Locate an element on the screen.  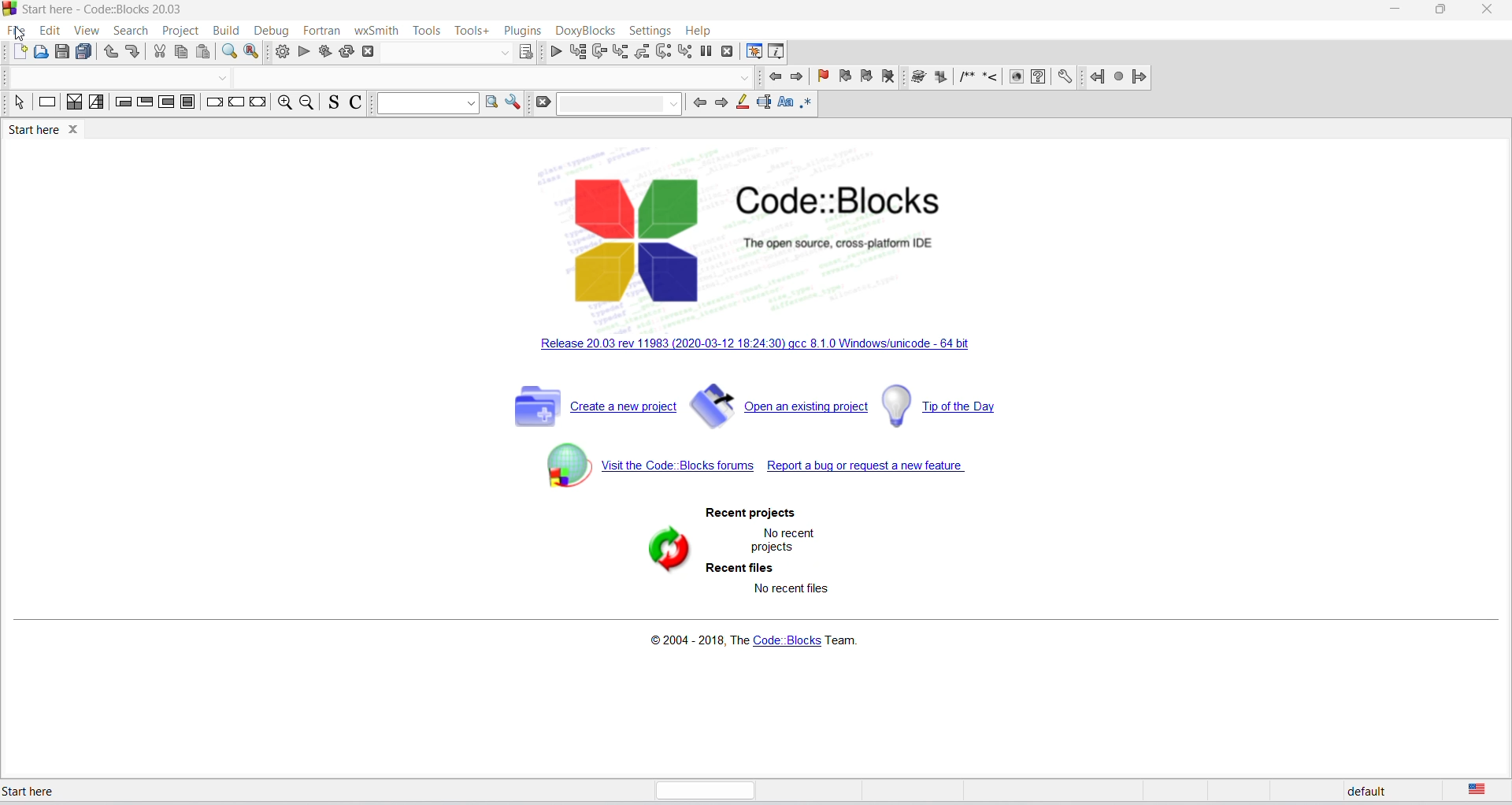
fortran is located at coordinates (324, 32).